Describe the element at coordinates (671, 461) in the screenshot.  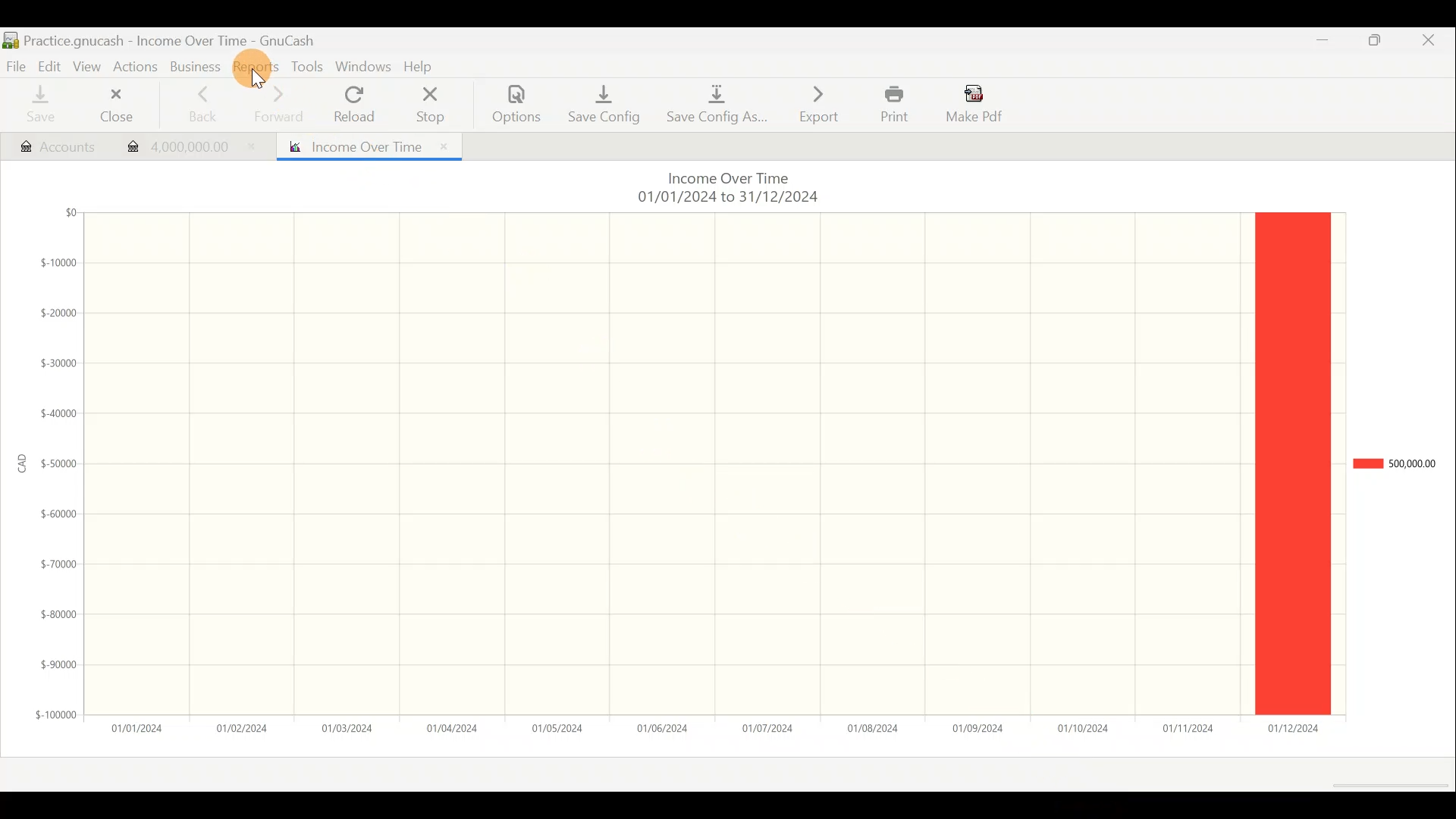
I see `Grid lines` at that location.